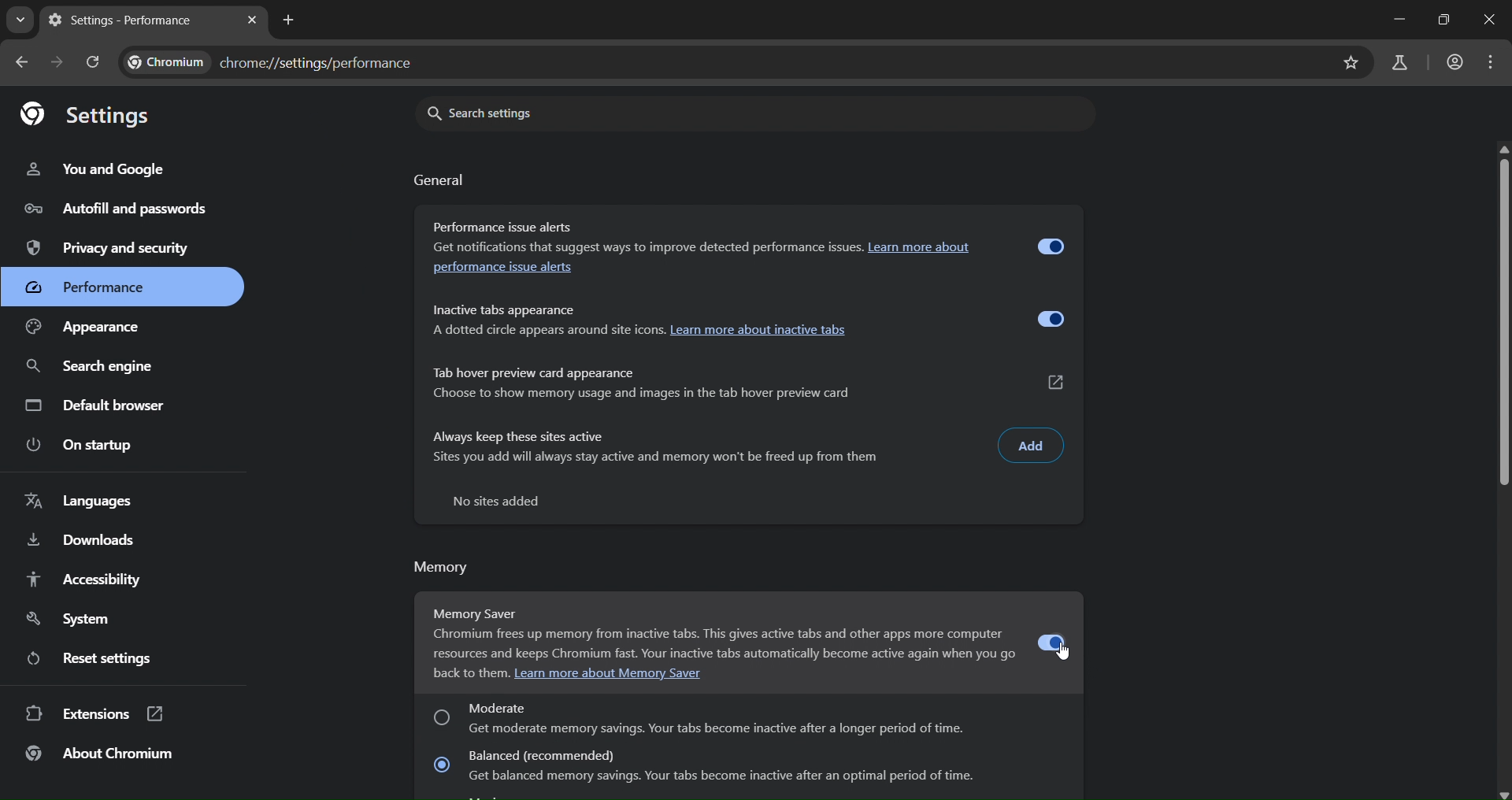  Describe the element at coordinates (107, 328) in the screenshot. I see `Appearance` at that location.